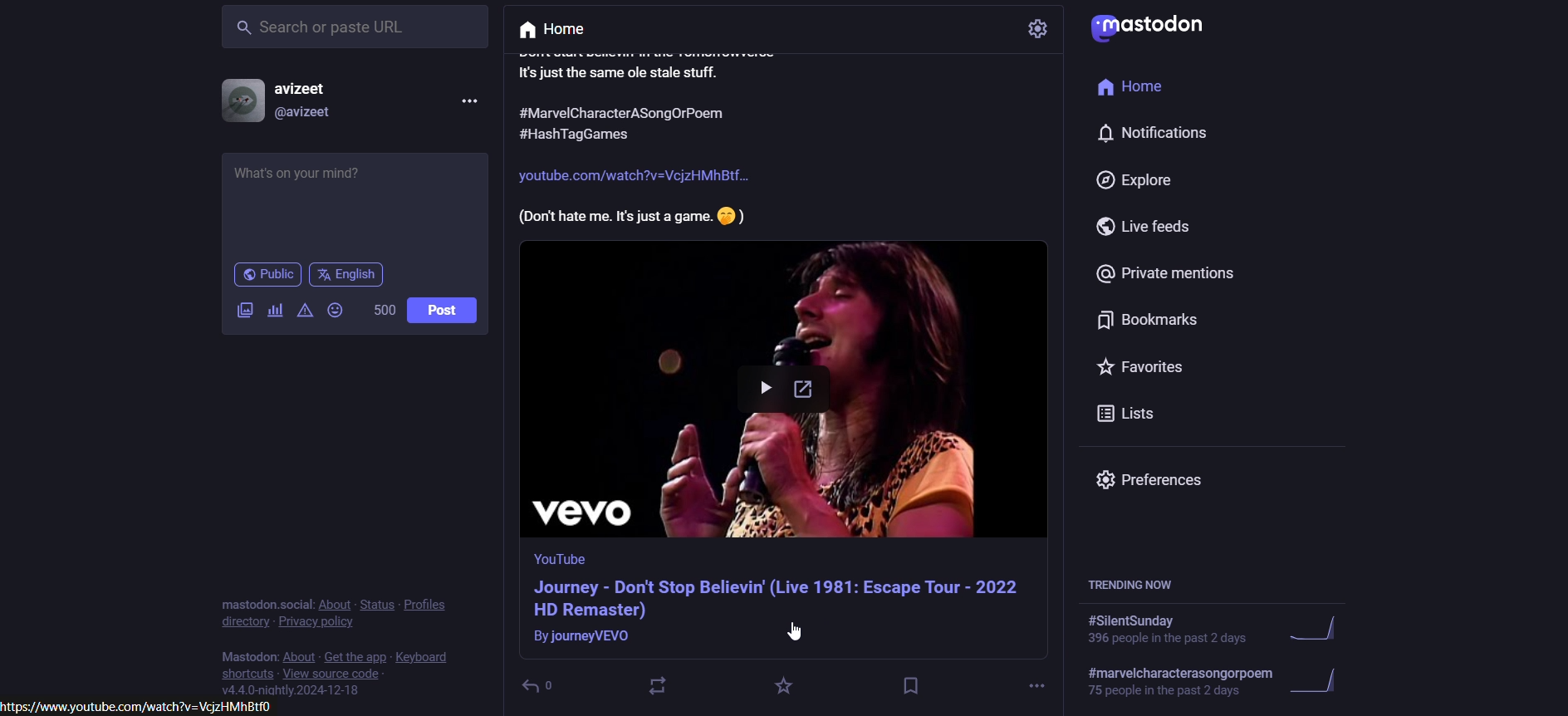  Describe the element at coordinates (337, 311) in the screenshot. I see `emoji` at that location.